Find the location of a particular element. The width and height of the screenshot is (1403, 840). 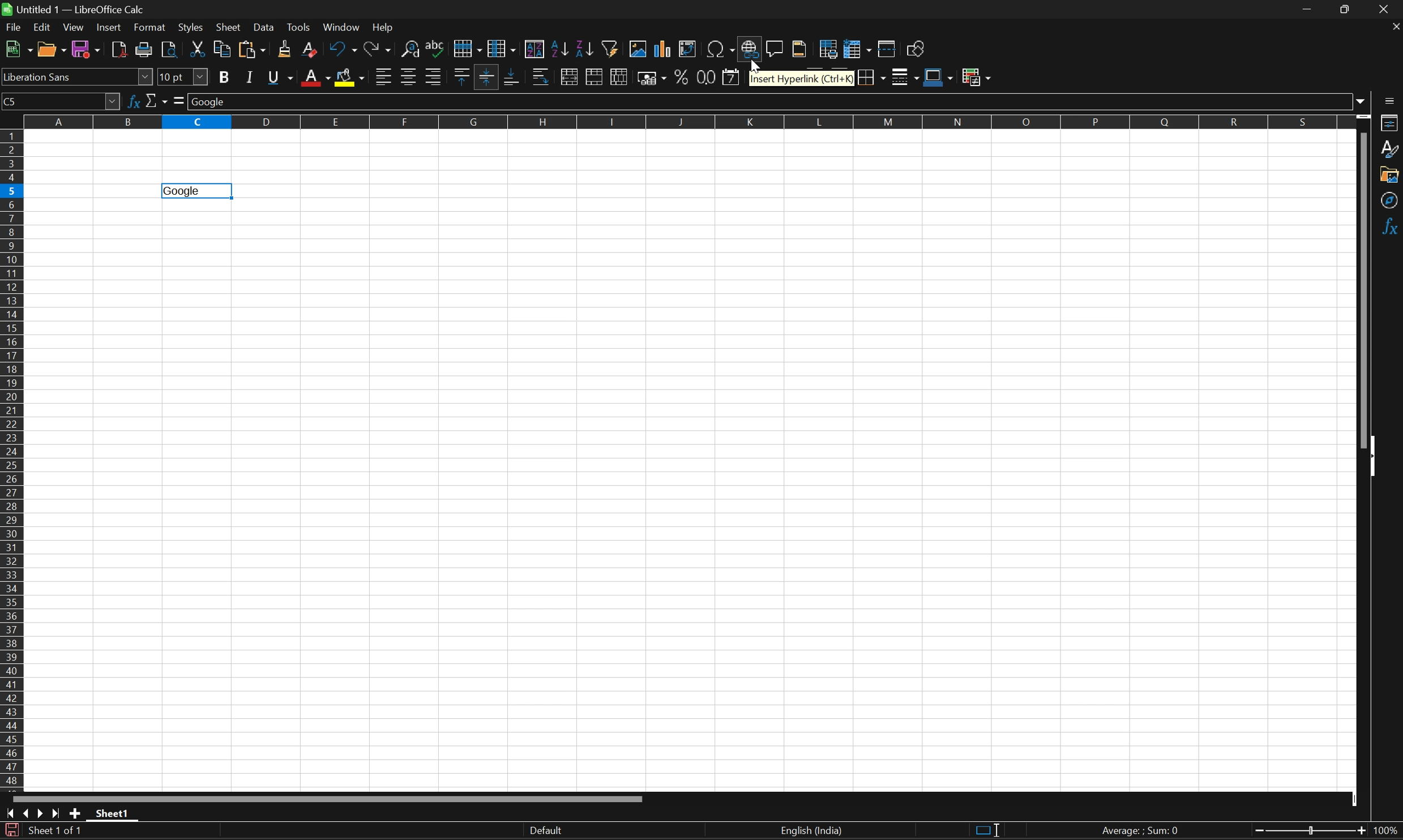

Spelling is located at coordinates (437, 44).